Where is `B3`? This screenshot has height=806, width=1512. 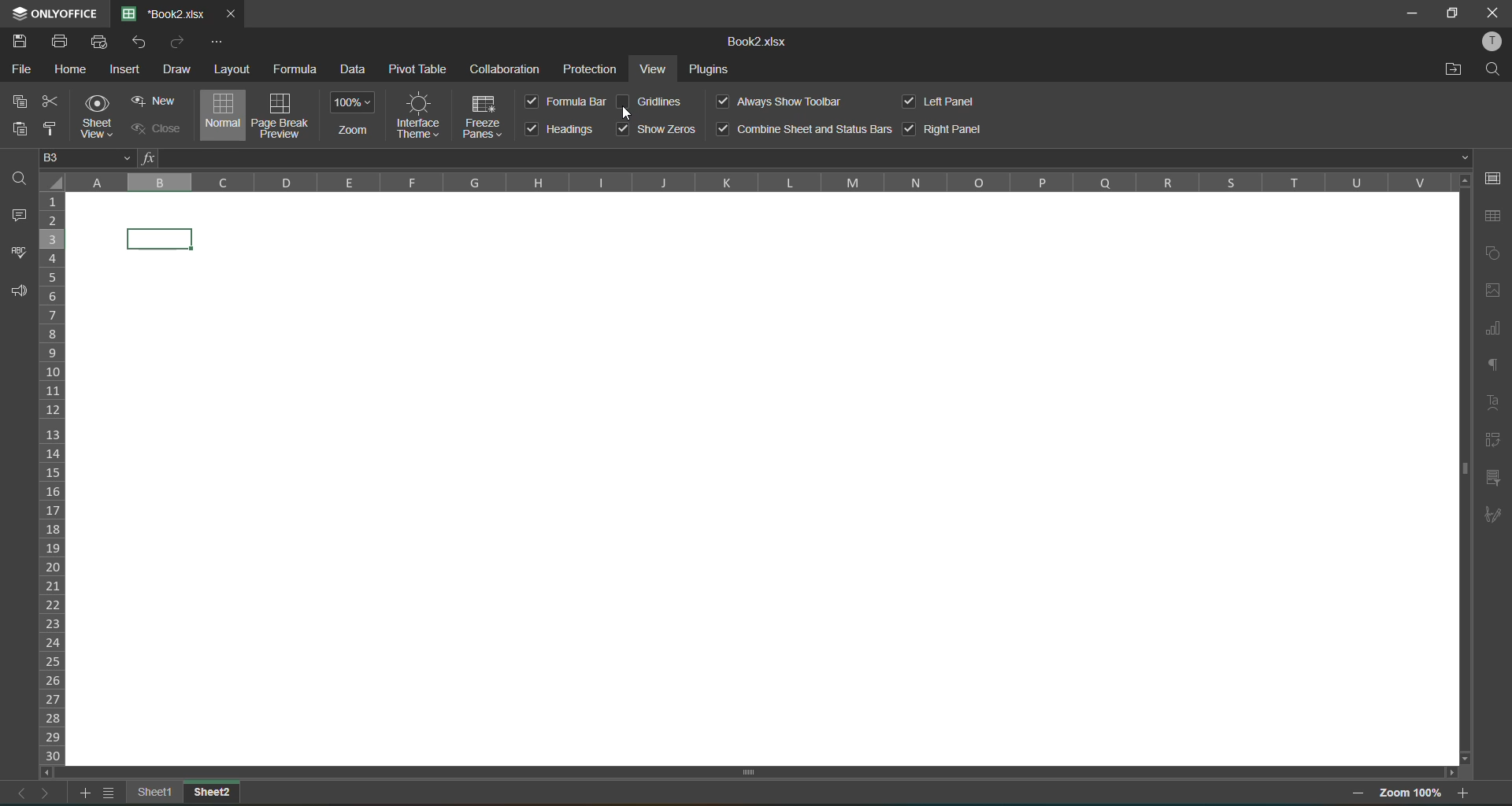 B3 is located at coordinates (89, 157).